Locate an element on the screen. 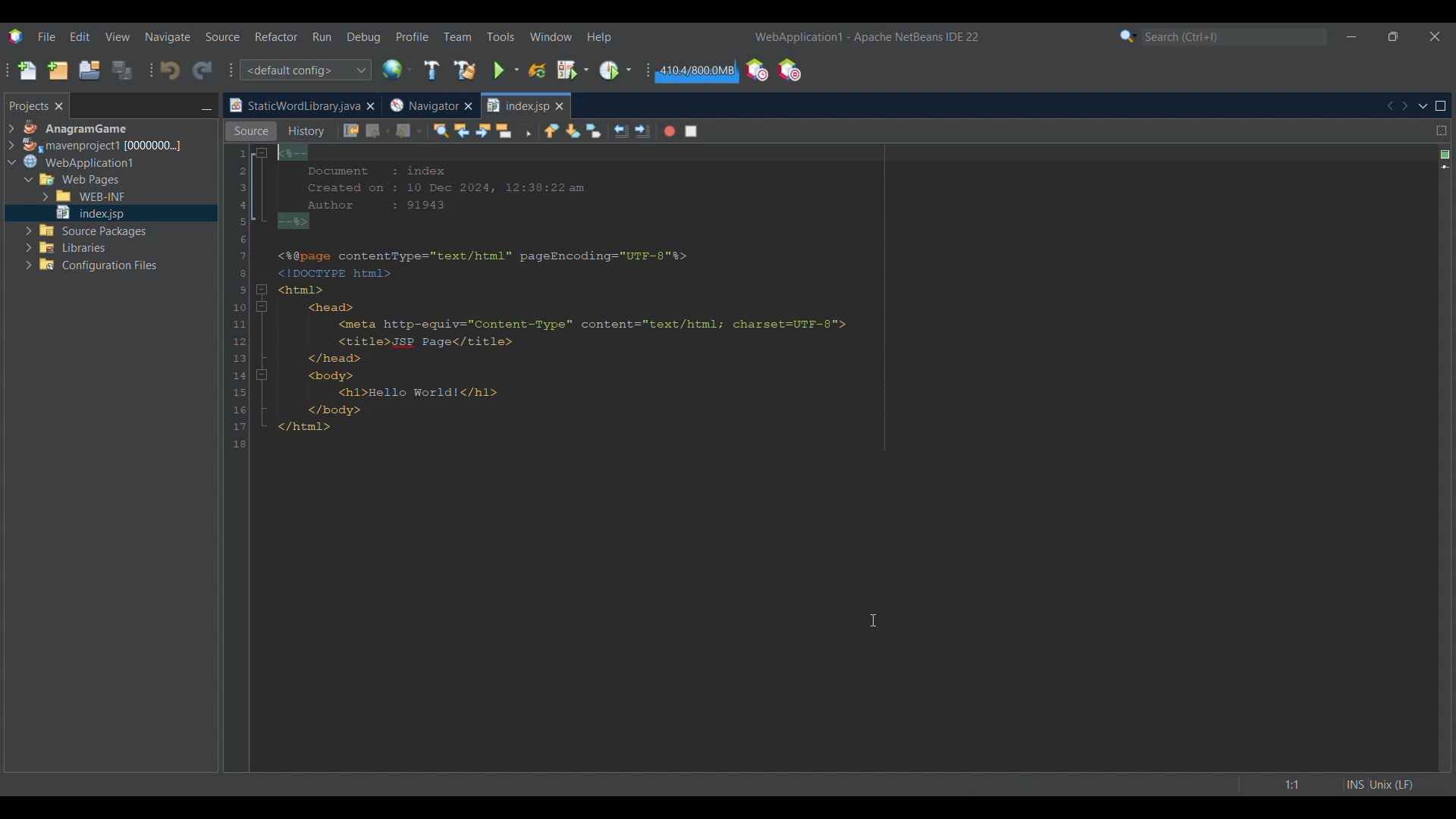 This screenshot has height=819, width=1456. Status bar details changed is located at coordinates (1331, 785).